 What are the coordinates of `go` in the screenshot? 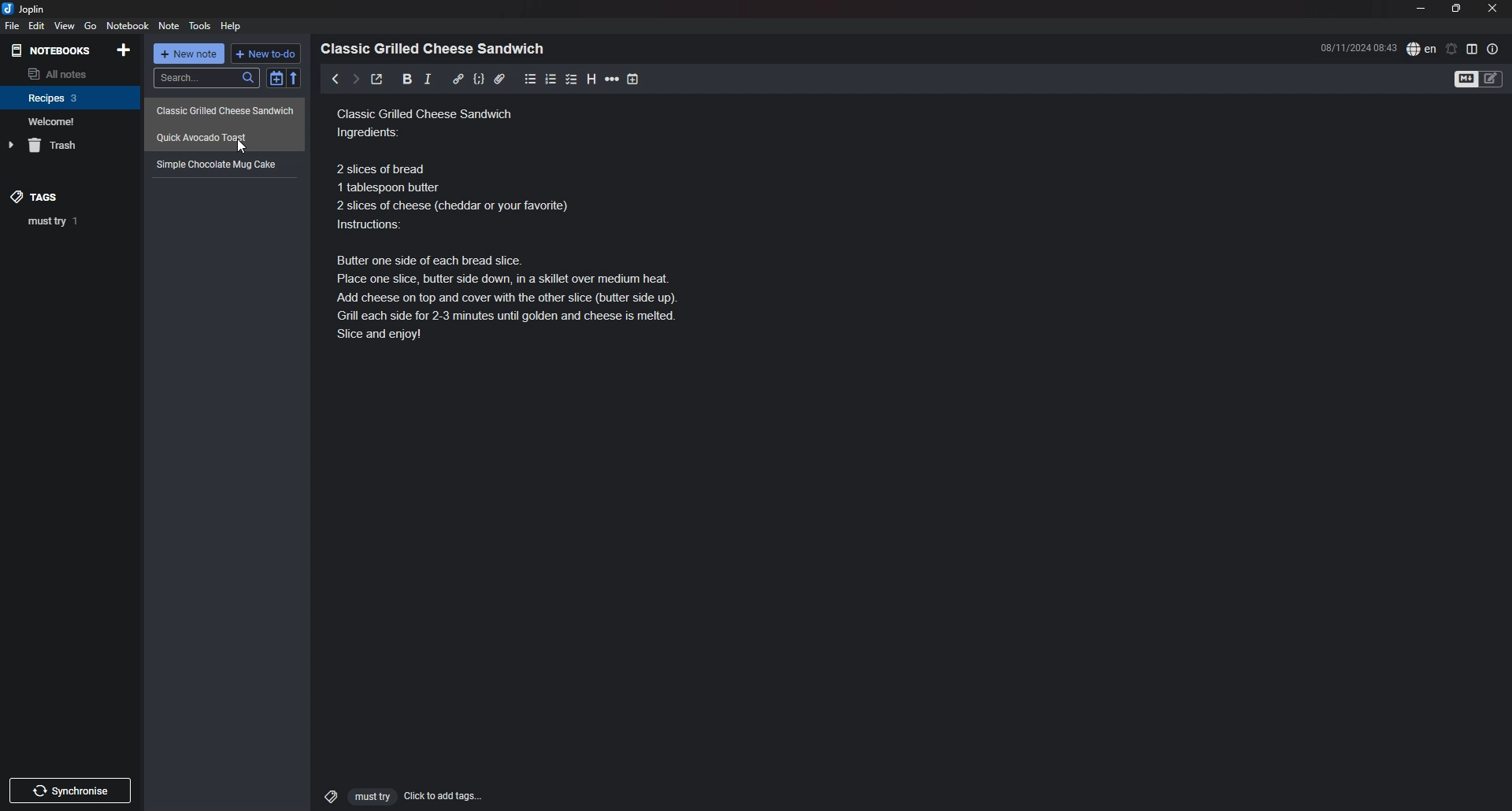 It's located at (91, 25).